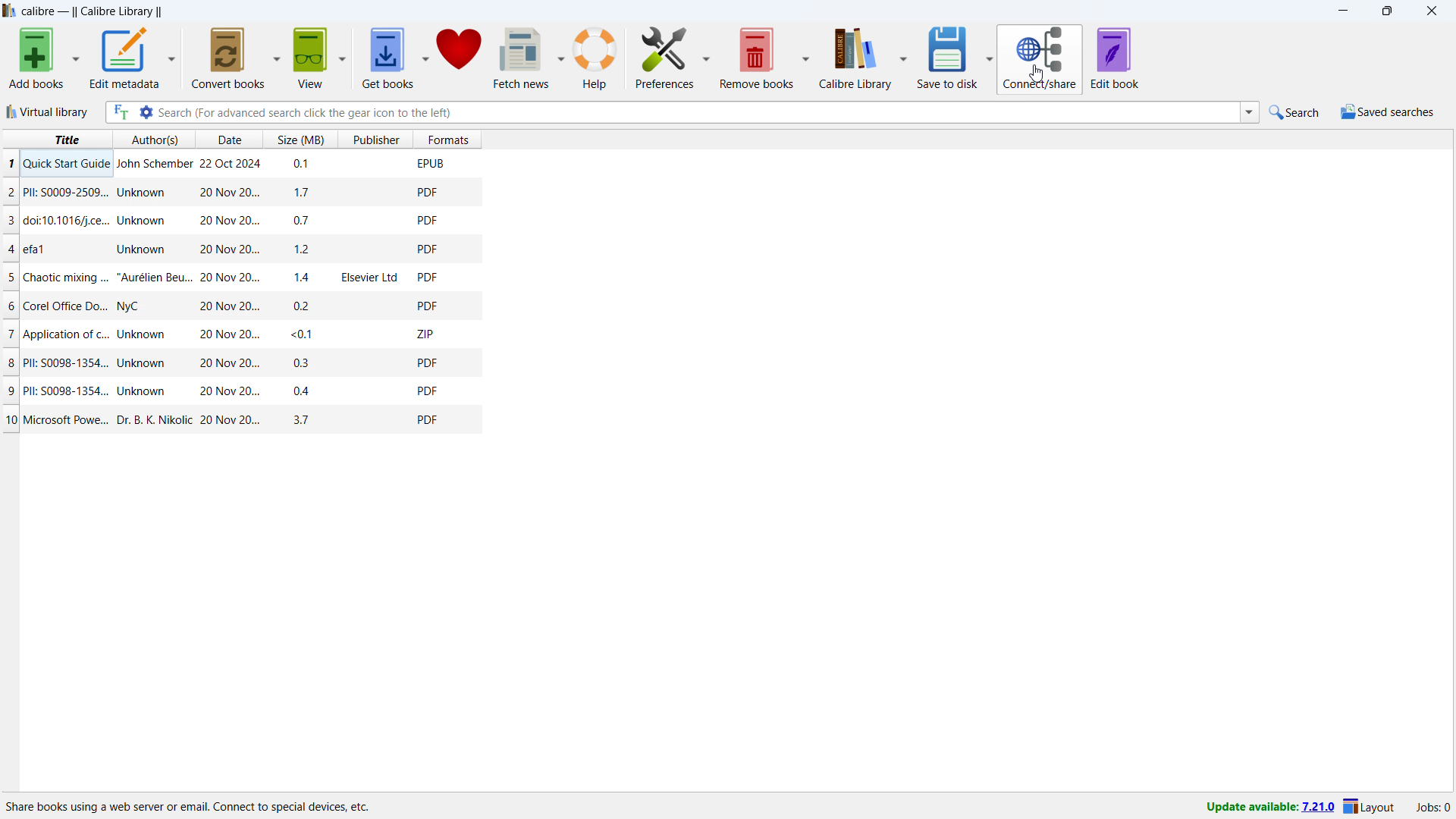 This screenshot has width=1456, height=819. Describe the element at coordinates (124, 58) in the screenshot. I see `edit metadata` at that location.